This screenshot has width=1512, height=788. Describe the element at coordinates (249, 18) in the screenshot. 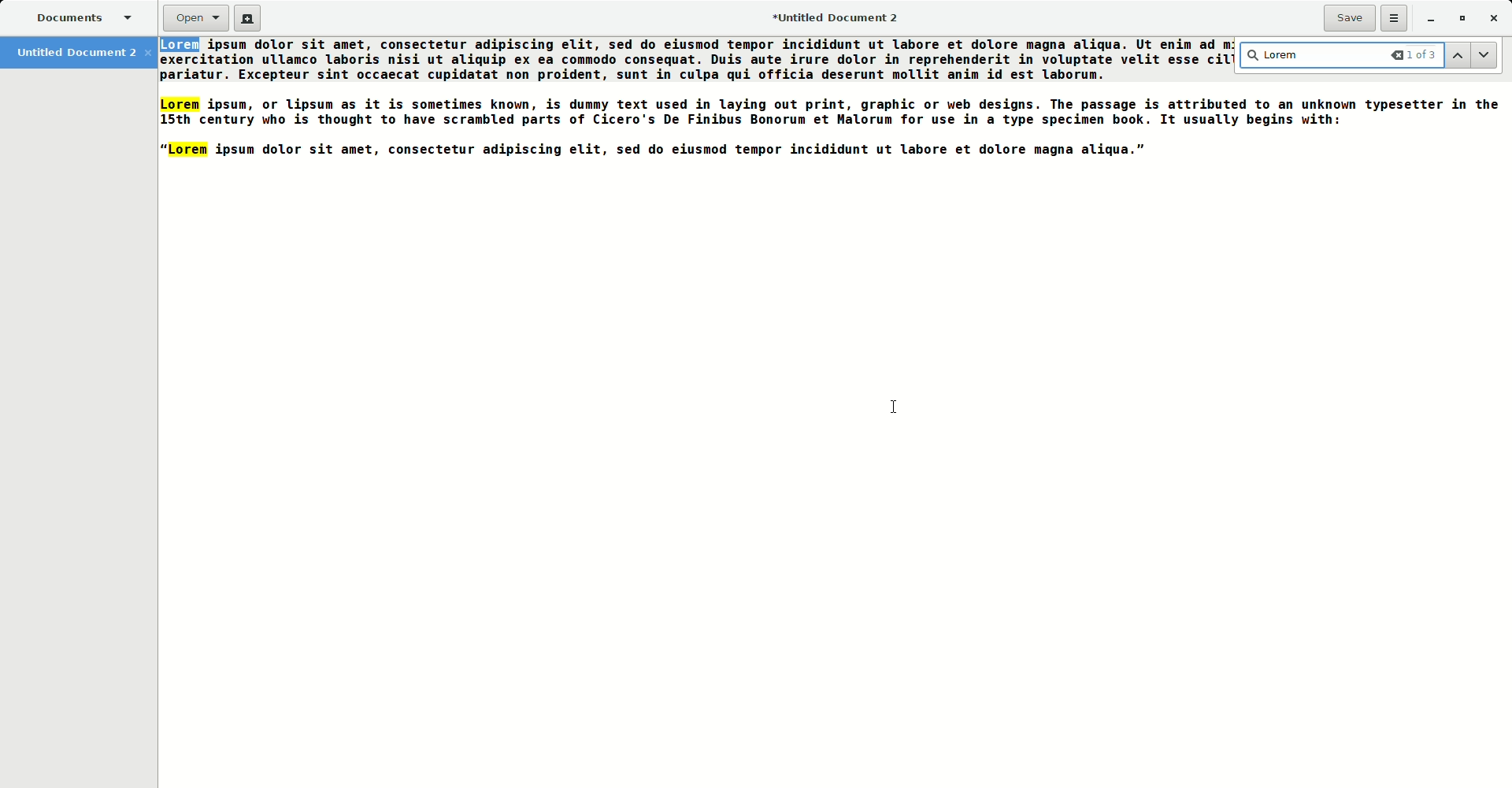

I see `New` at that location.